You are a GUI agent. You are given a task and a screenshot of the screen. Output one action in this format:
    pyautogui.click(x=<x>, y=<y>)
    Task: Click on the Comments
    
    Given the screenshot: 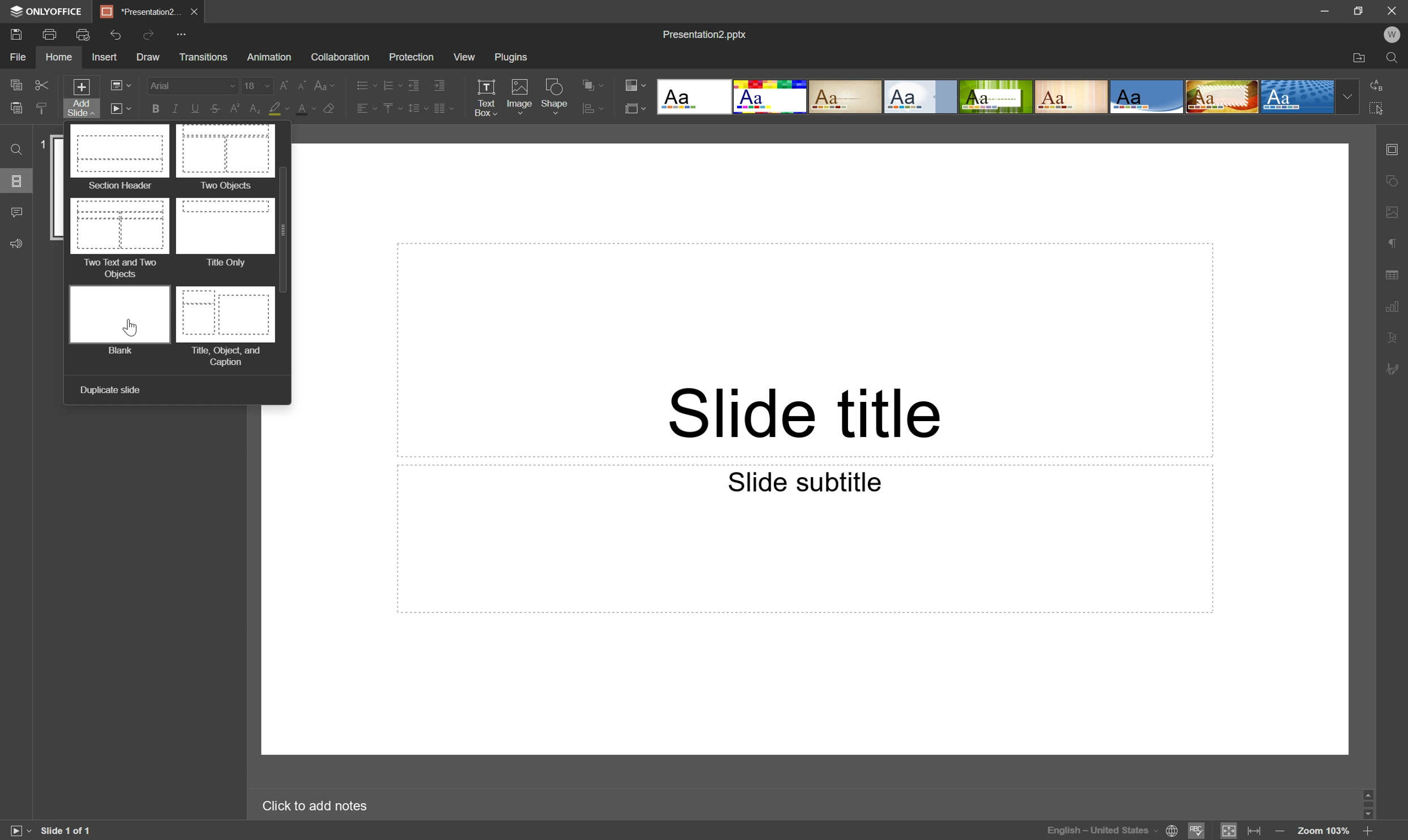 What is the action you would take?
    pyautogui.click(x=16, y=212)
    